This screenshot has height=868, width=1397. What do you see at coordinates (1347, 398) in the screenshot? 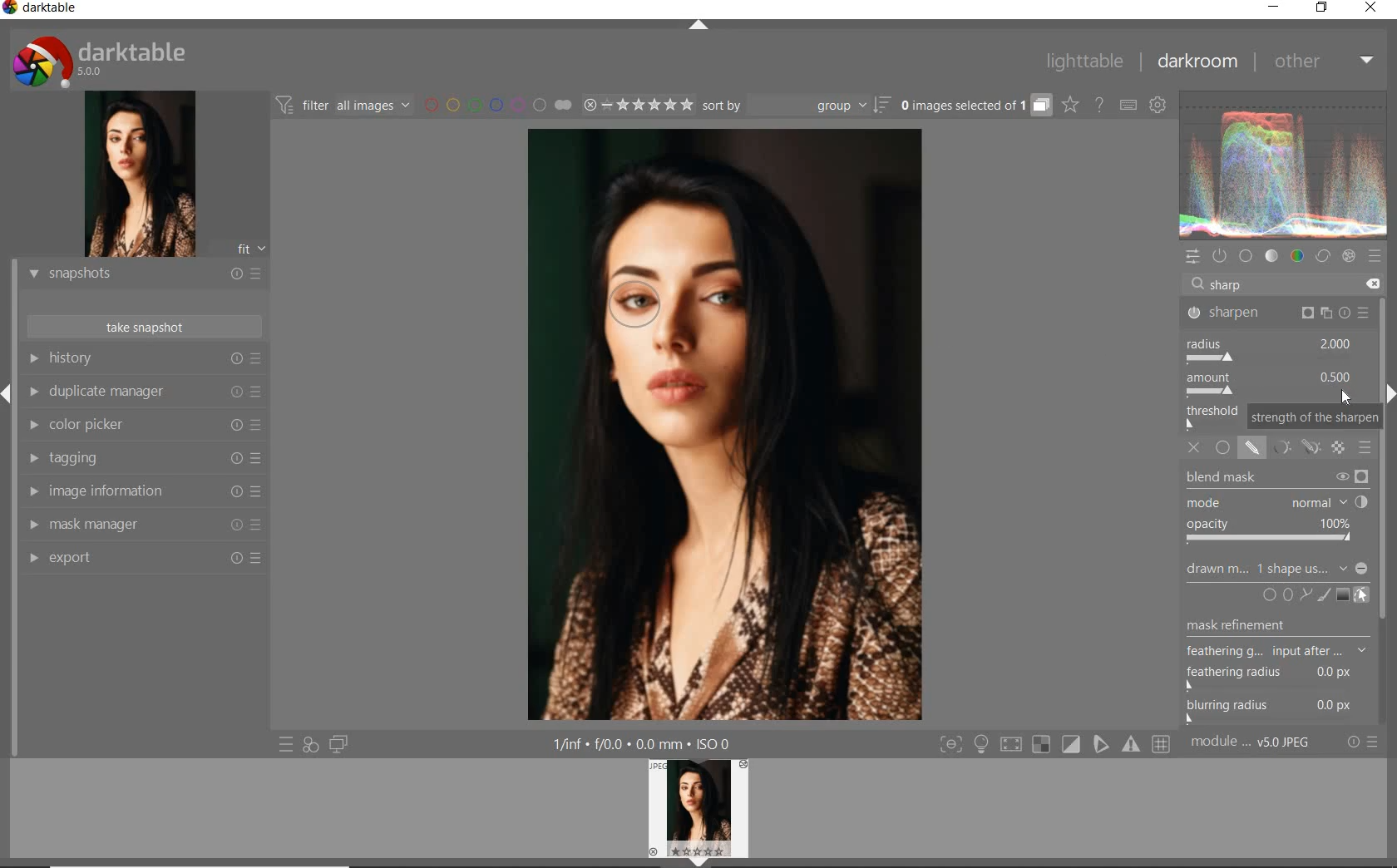
I see `cursor position` at bounding box center [1347, 398].